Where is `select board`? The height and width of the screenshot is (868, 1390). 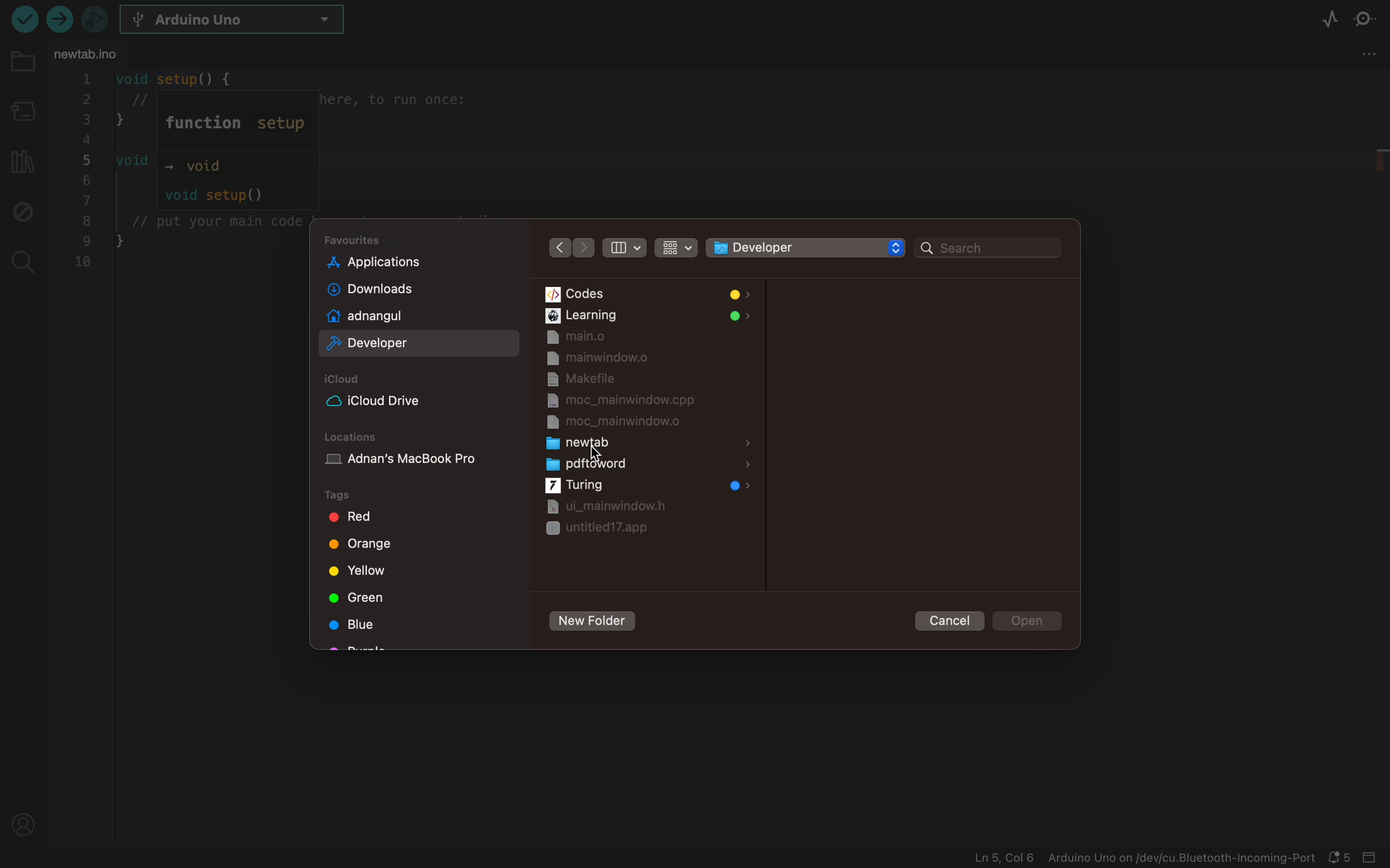
select board is located at coordinates (242, 21).